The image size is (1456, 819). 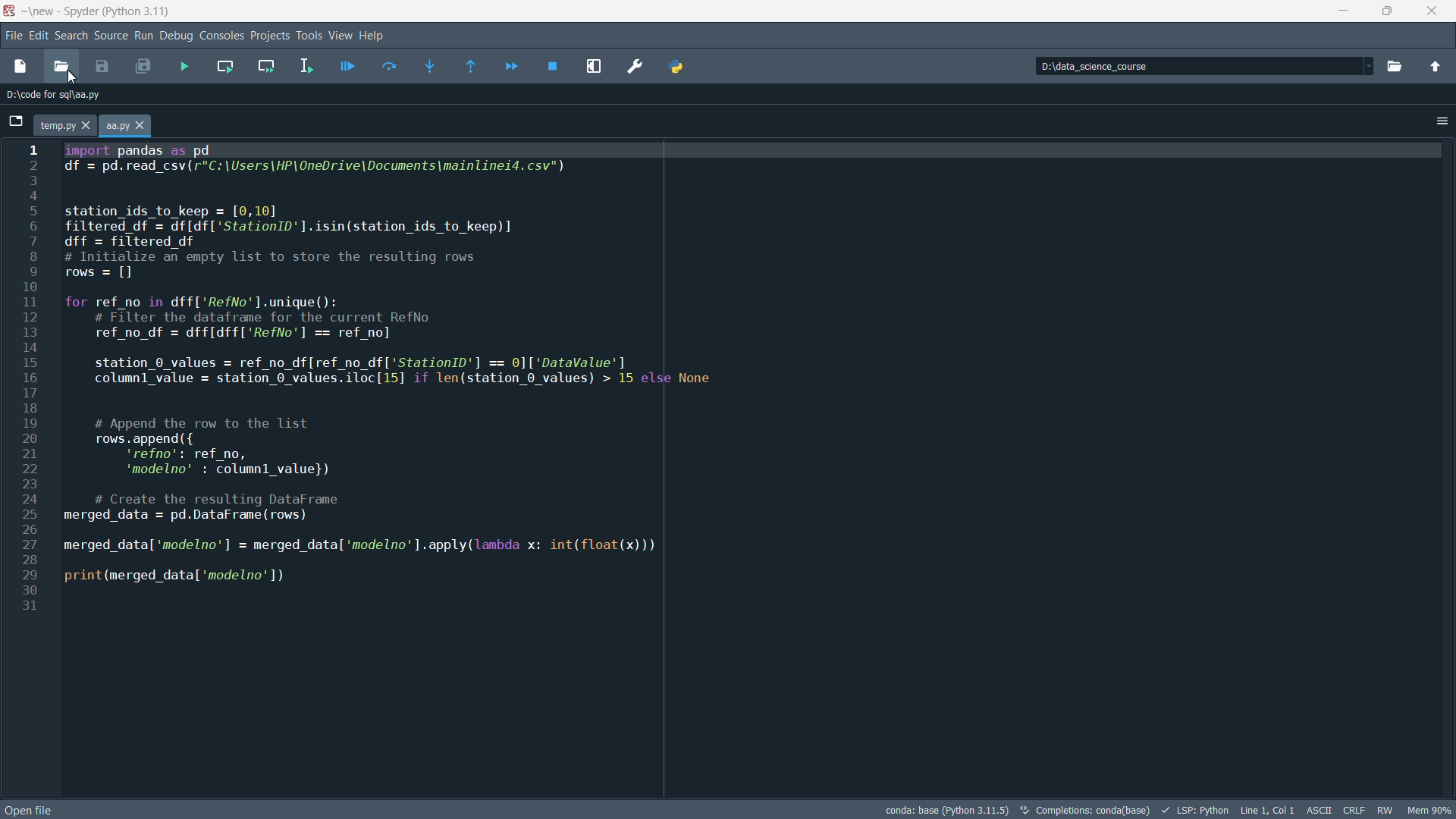 I want to click on change to parent directory, so click(x=1436, y=67).